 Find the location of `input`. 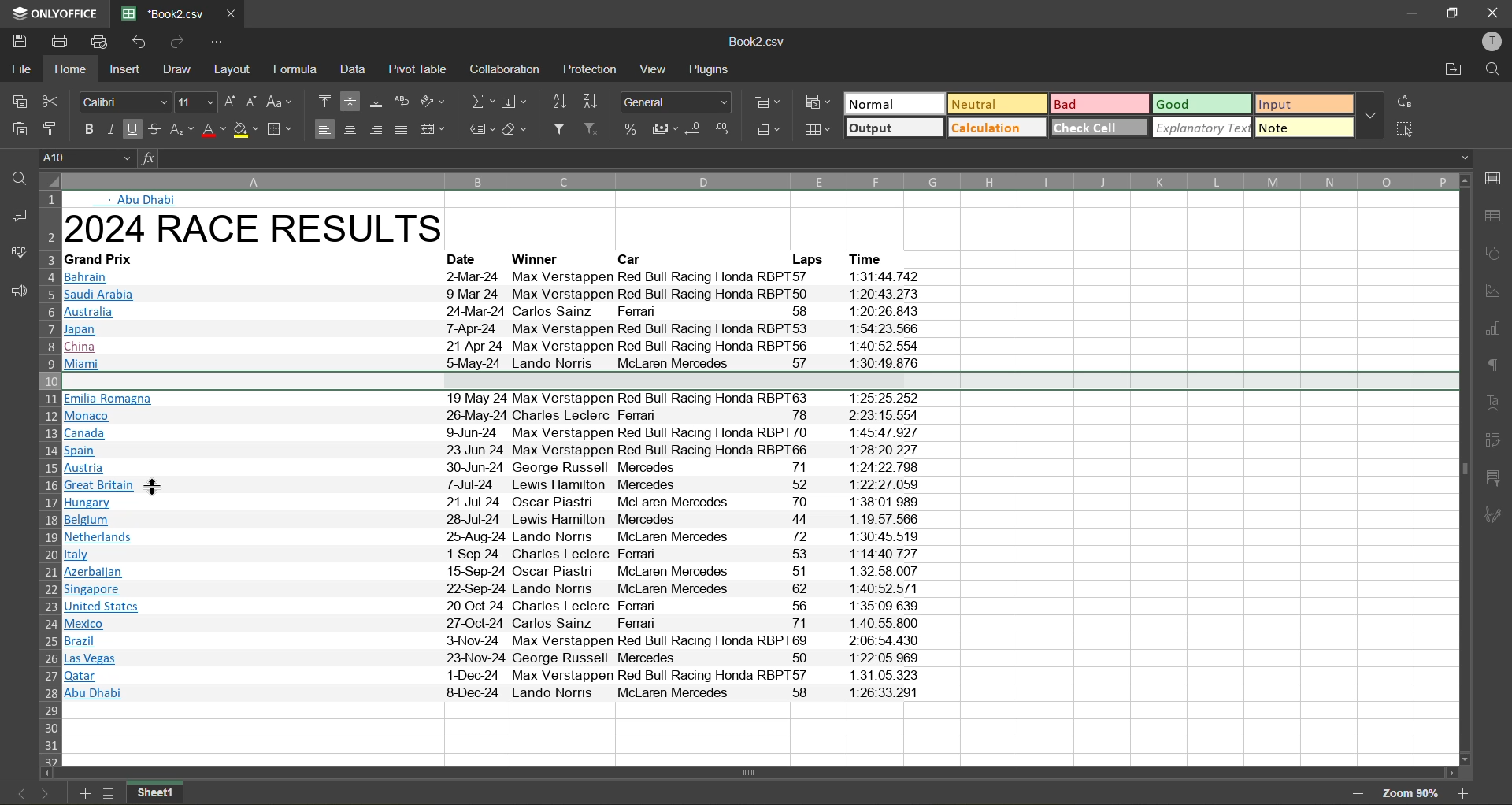

input is located at coordinates (1303, 105).